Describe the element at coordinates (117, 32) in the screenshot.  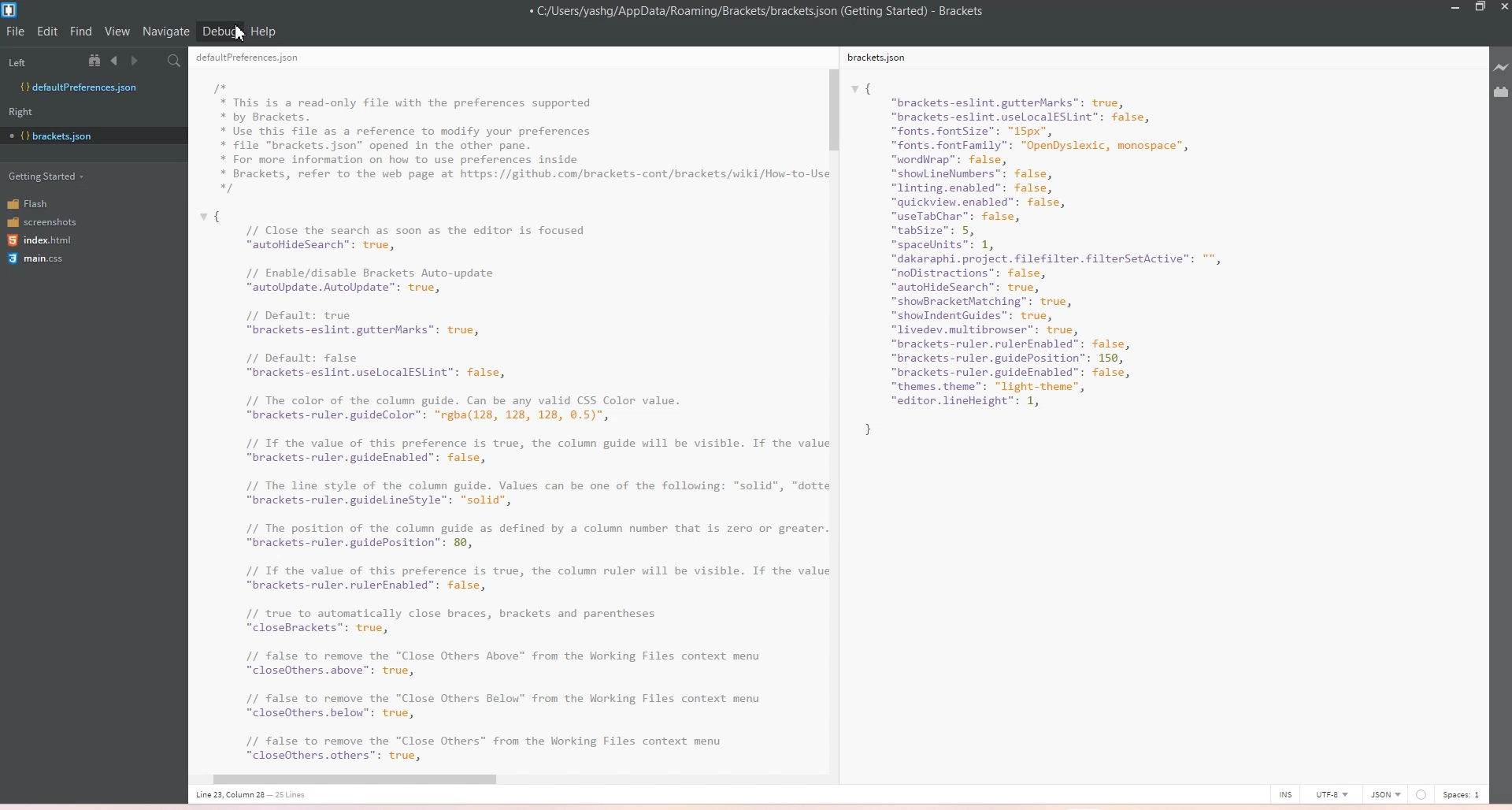
I see `View` at that location.